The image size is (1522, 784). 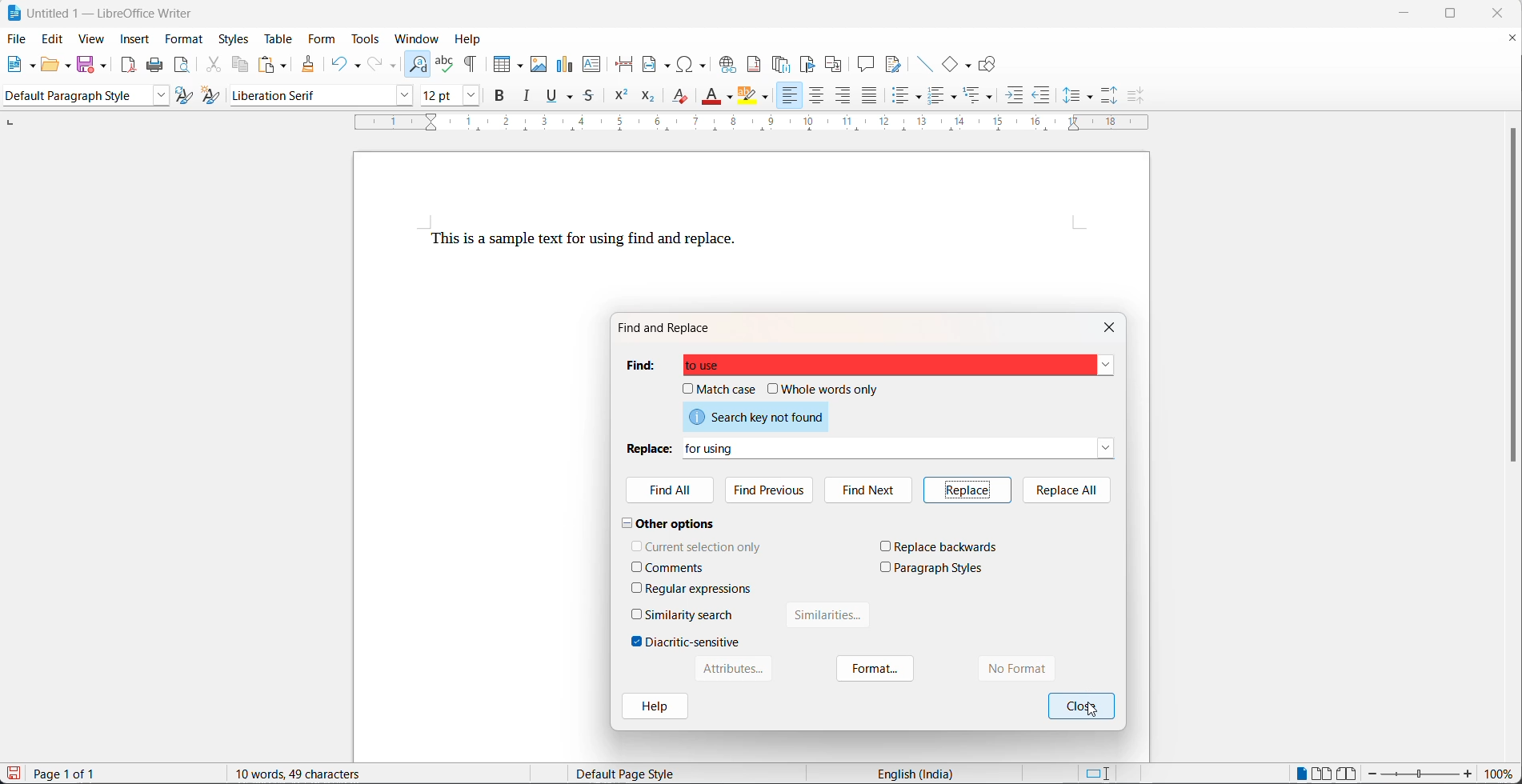 I want to click on similarities button, so click(x=829, y=618).